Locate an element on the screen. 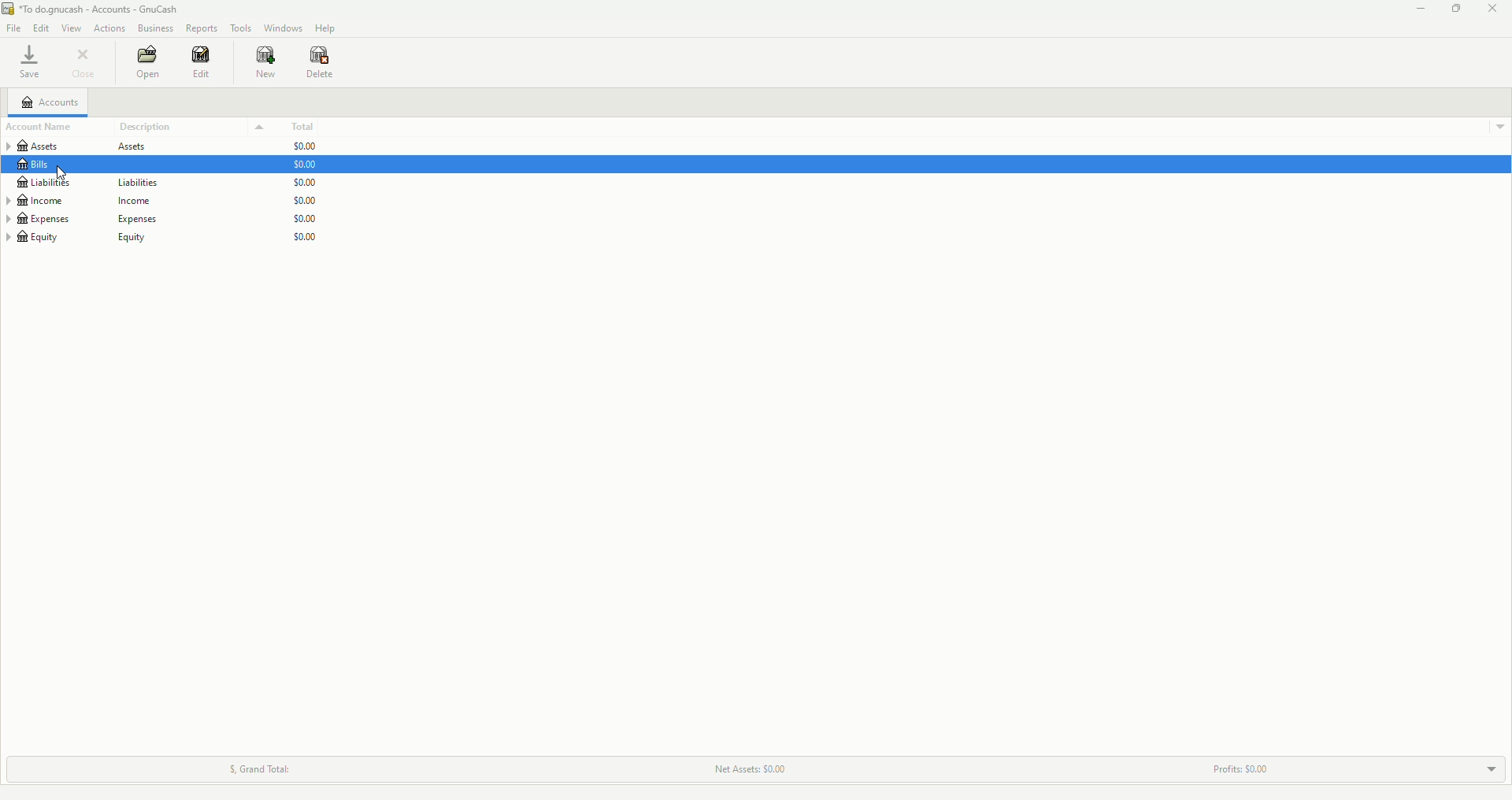  Expenses is located at coordinates (82, 219).